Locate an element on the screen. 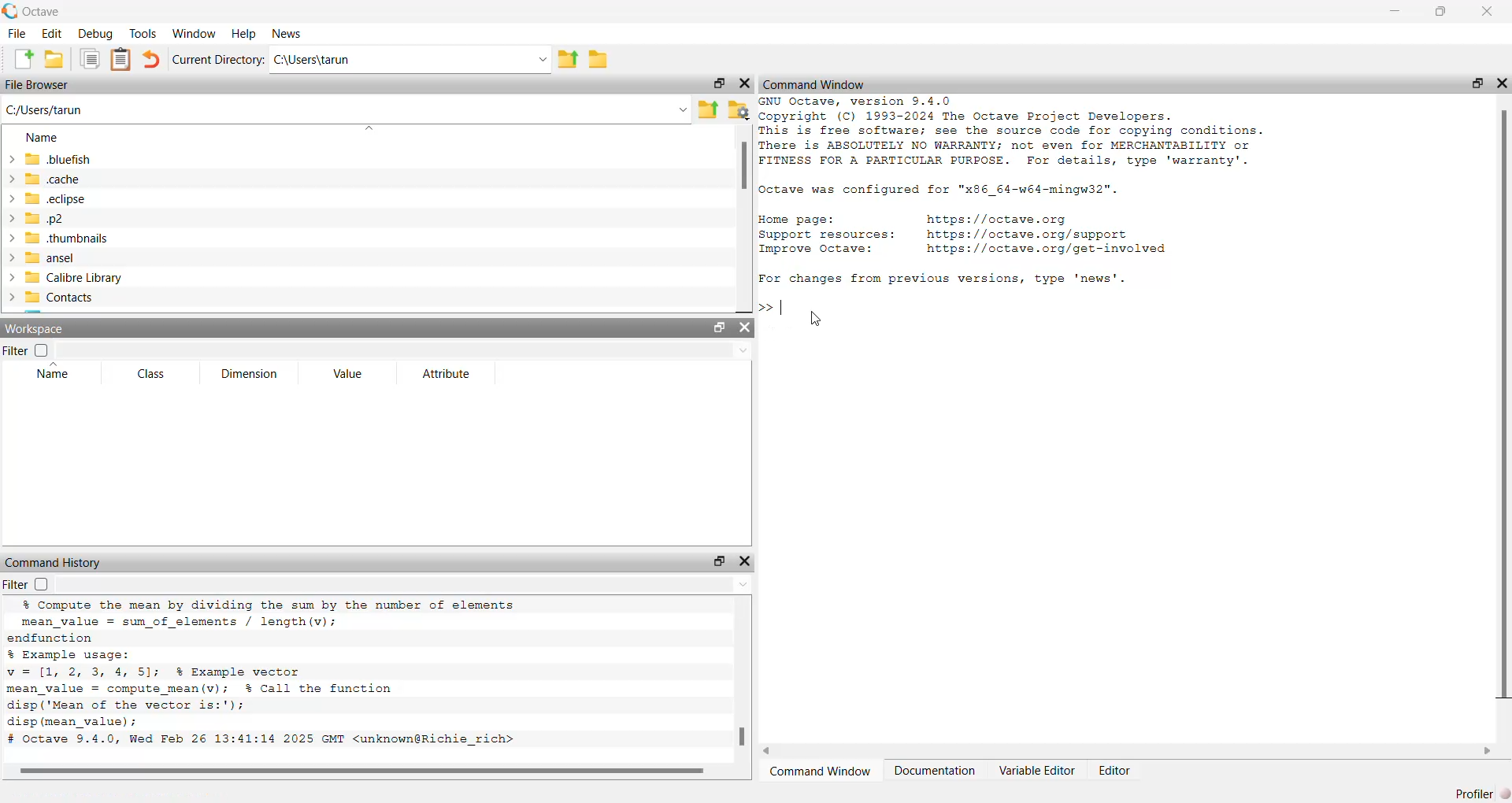 This screenshot has width=1512, height=803. Drop-down  is located at coordinates (745, 350).